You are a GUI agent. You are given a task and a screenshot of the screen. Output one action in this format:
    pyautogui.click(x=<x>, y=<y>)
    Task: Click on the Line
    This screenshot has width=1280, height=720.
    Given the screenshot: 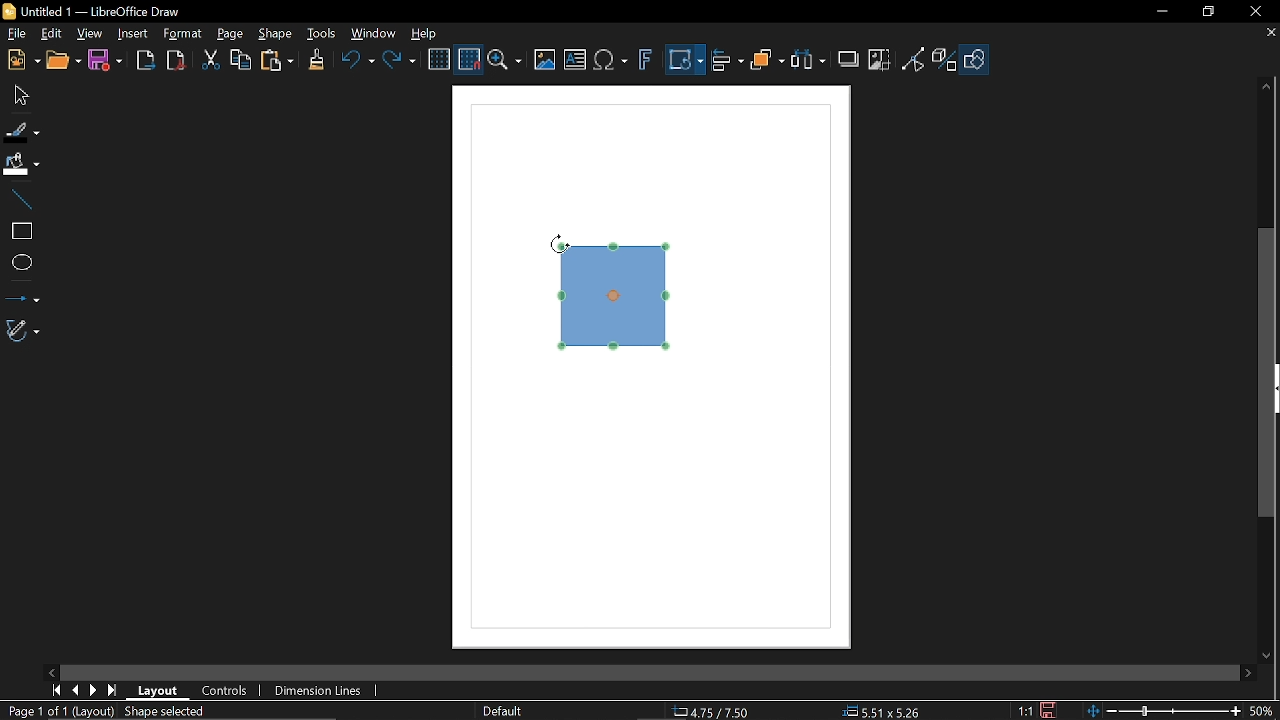 What is the action you would take?
    pyautogui.click(x=20, y=200)
    